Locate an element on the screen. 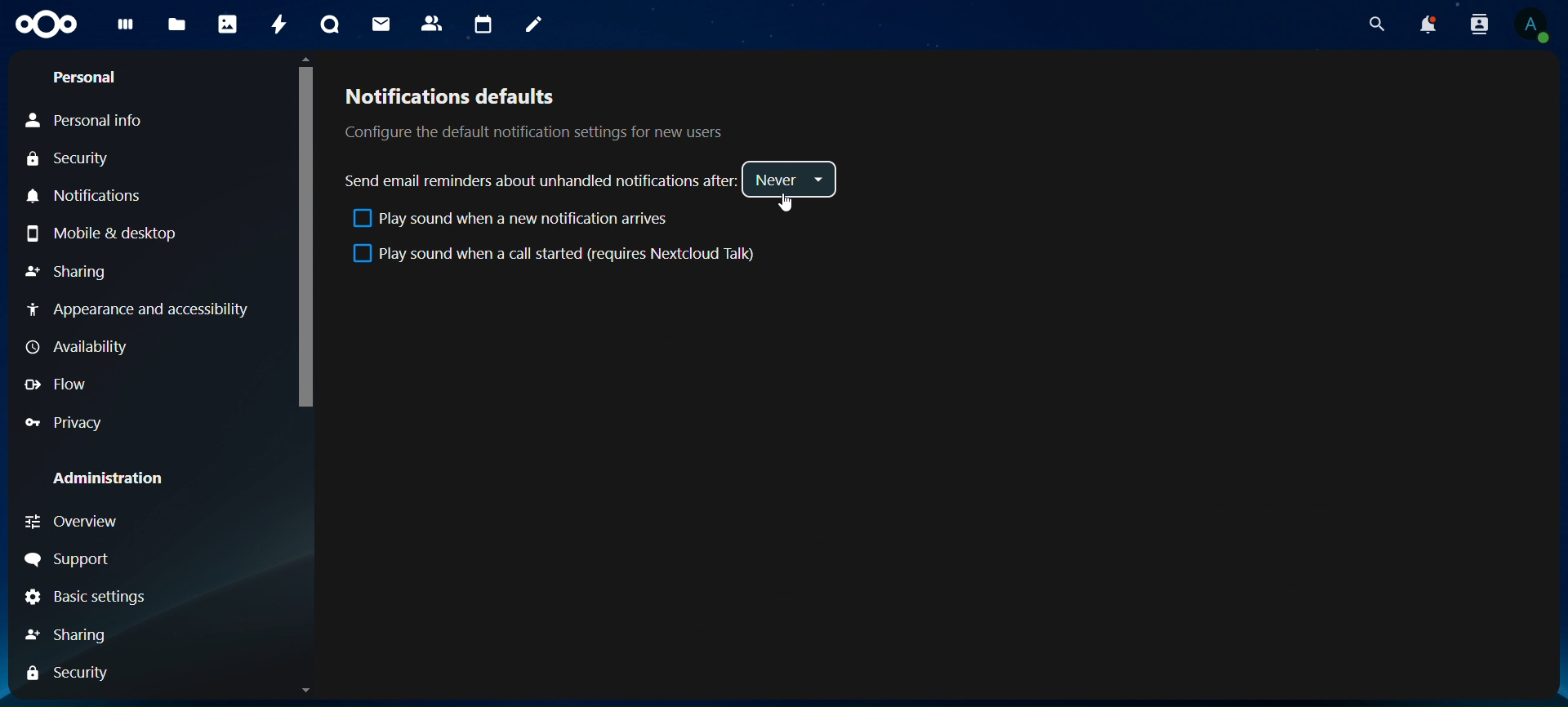 Image resolution: width=1568 pixels, height=707 pixels. send email remainders is located at coordinates (542, 180).